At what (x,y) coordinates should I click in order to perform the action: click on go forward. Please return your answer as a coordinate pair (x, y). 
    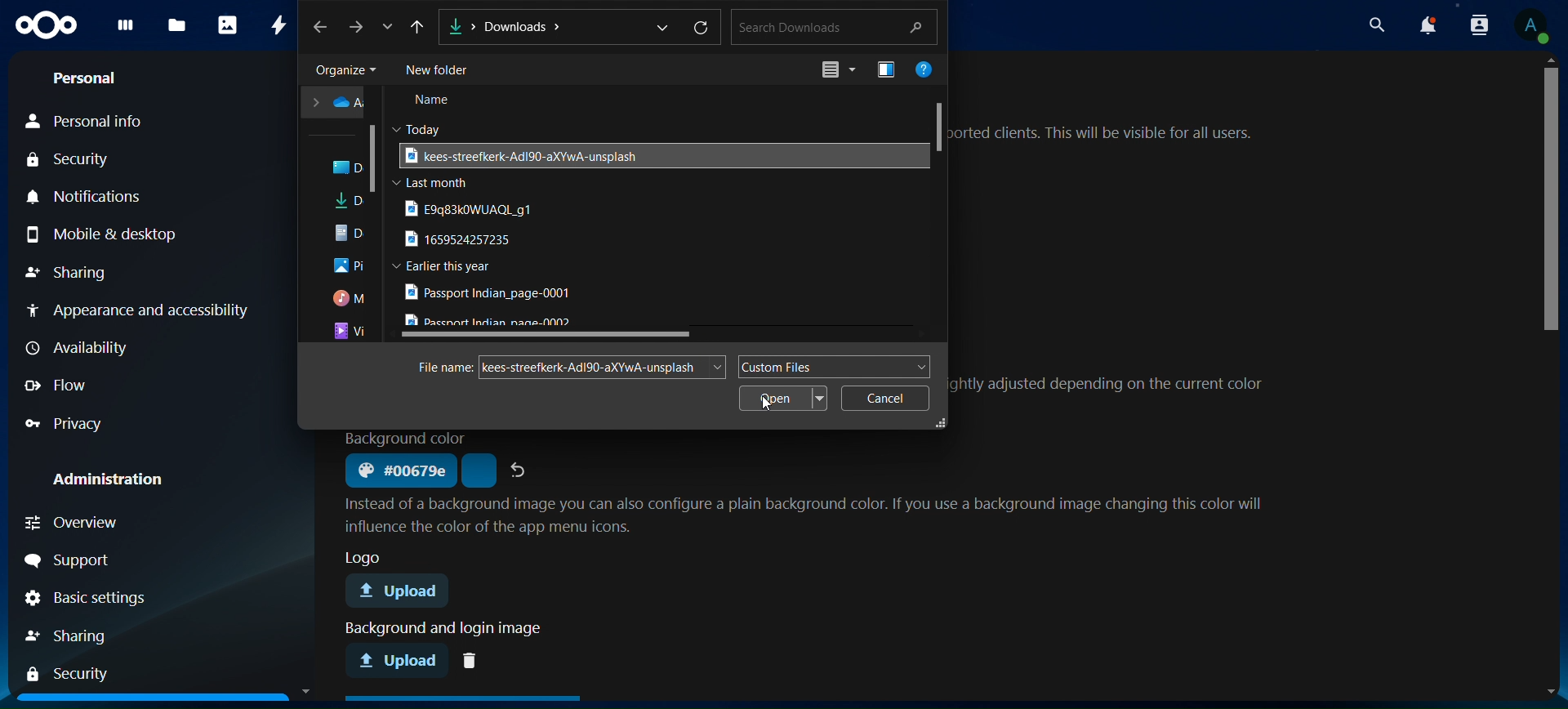
    Looking at the image, I should click on (359, 26).